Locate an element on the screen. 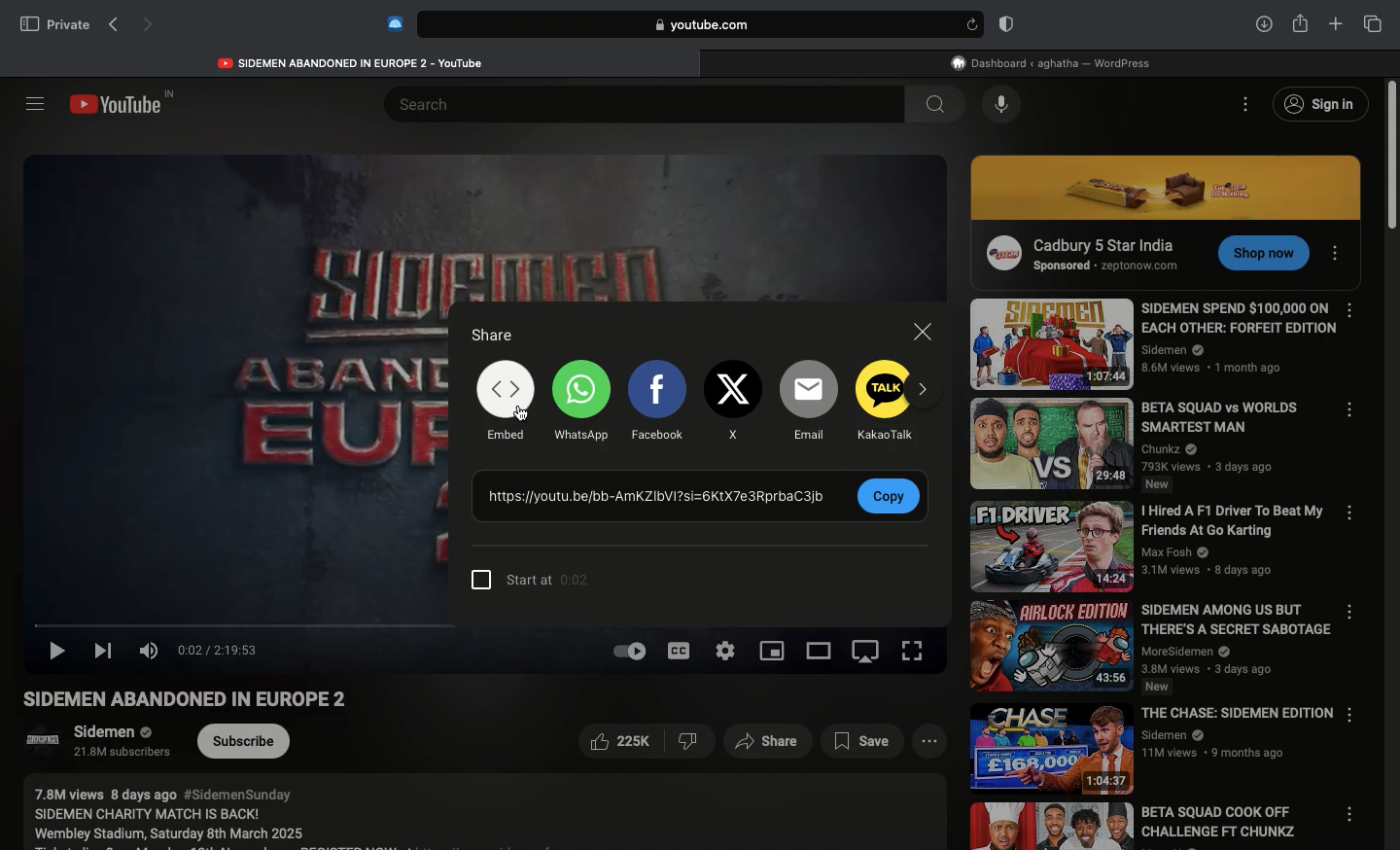 This screenshot has width=1400, height=850. Options is located at coordinates (1339, 249).